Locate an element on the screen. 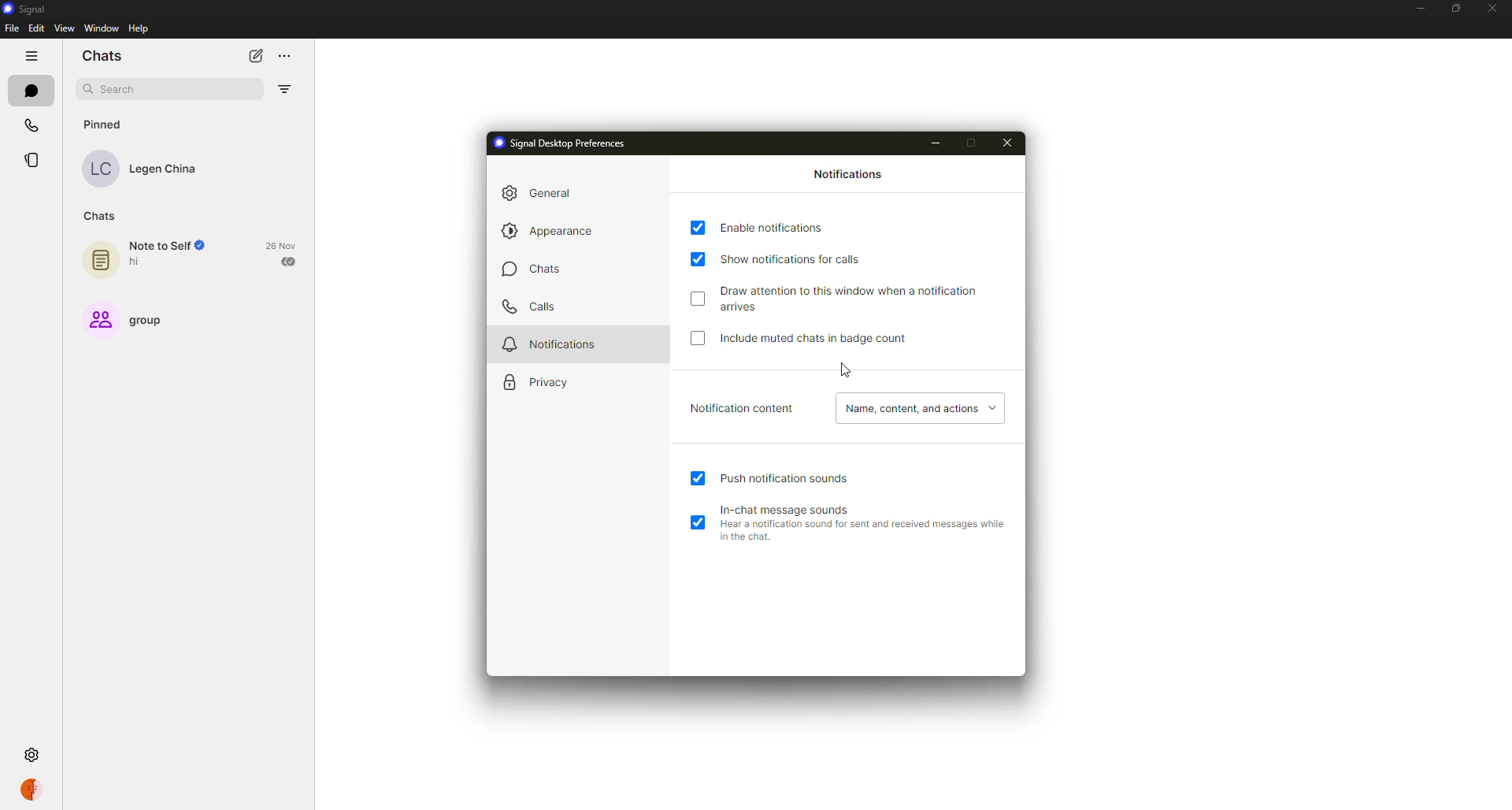 This screenshot has width=1512, height=810. notification  content is located at coordinates (739, 408).